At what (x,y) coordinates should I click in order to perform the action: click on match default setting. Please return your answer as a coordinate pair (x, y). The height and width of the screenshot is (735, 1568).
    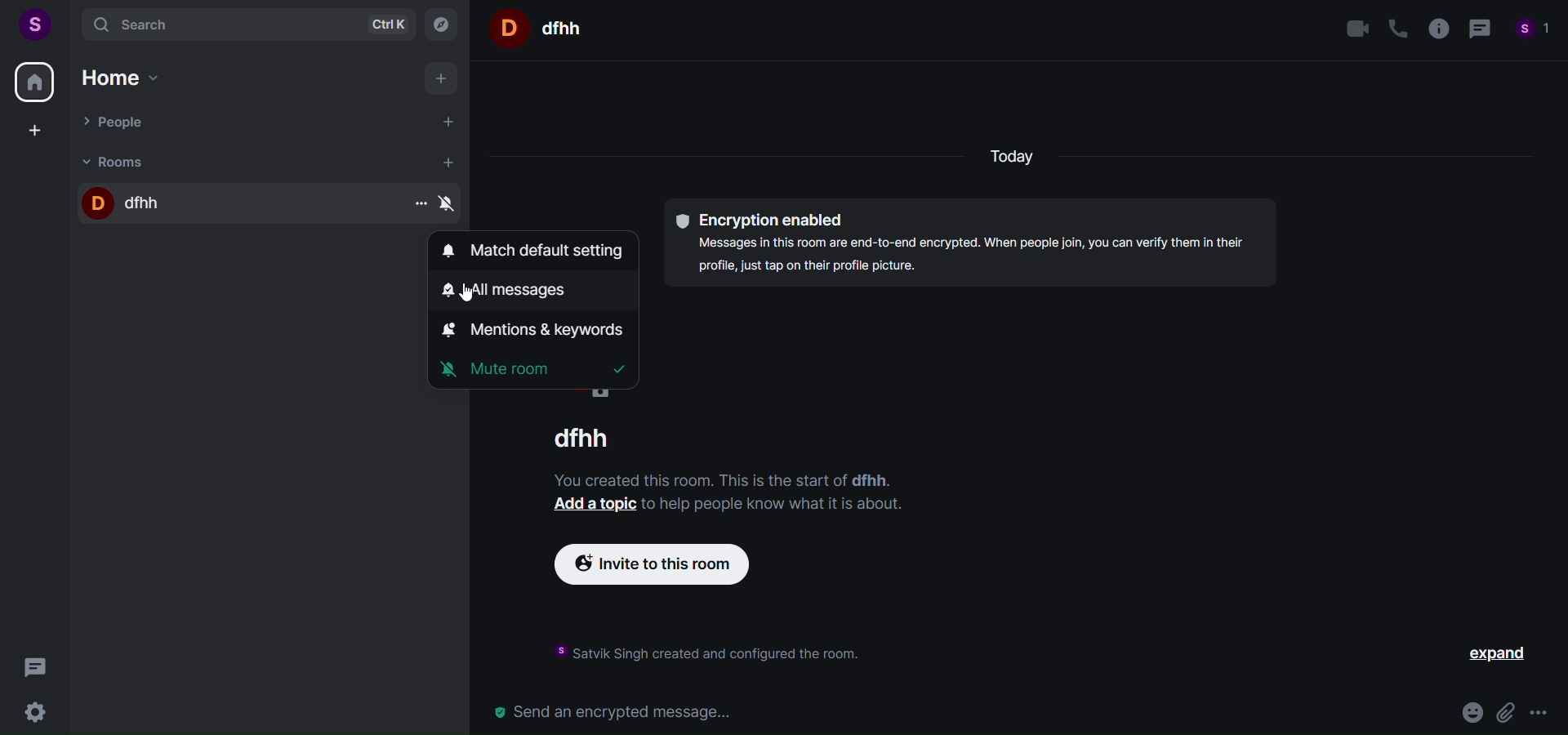
    Looking at the image, I should click on (526, 251).